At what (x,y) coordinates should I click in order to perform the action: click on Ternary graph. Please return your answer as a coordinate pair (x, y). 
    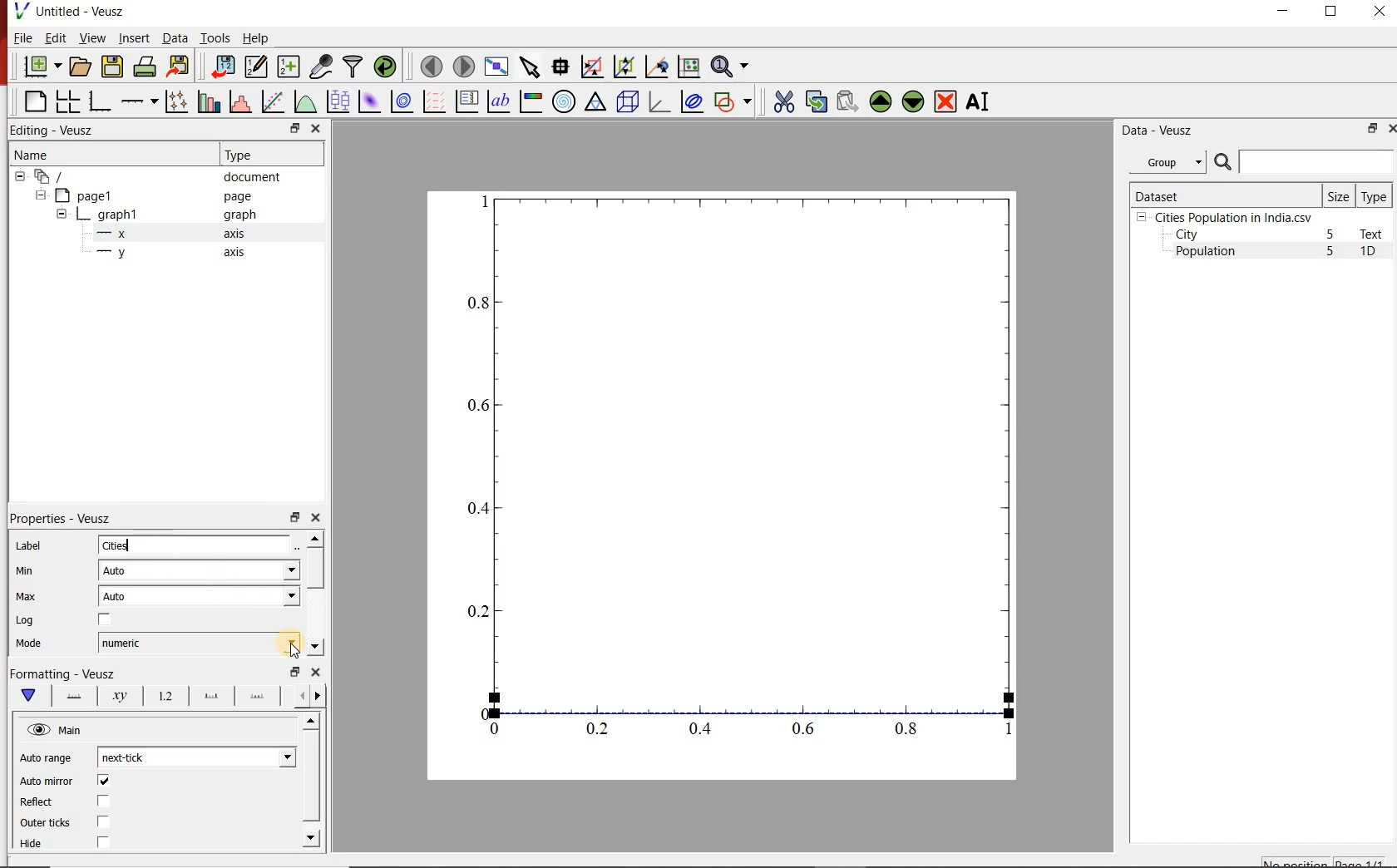
    Looking at the image, I should click on (595, 102).